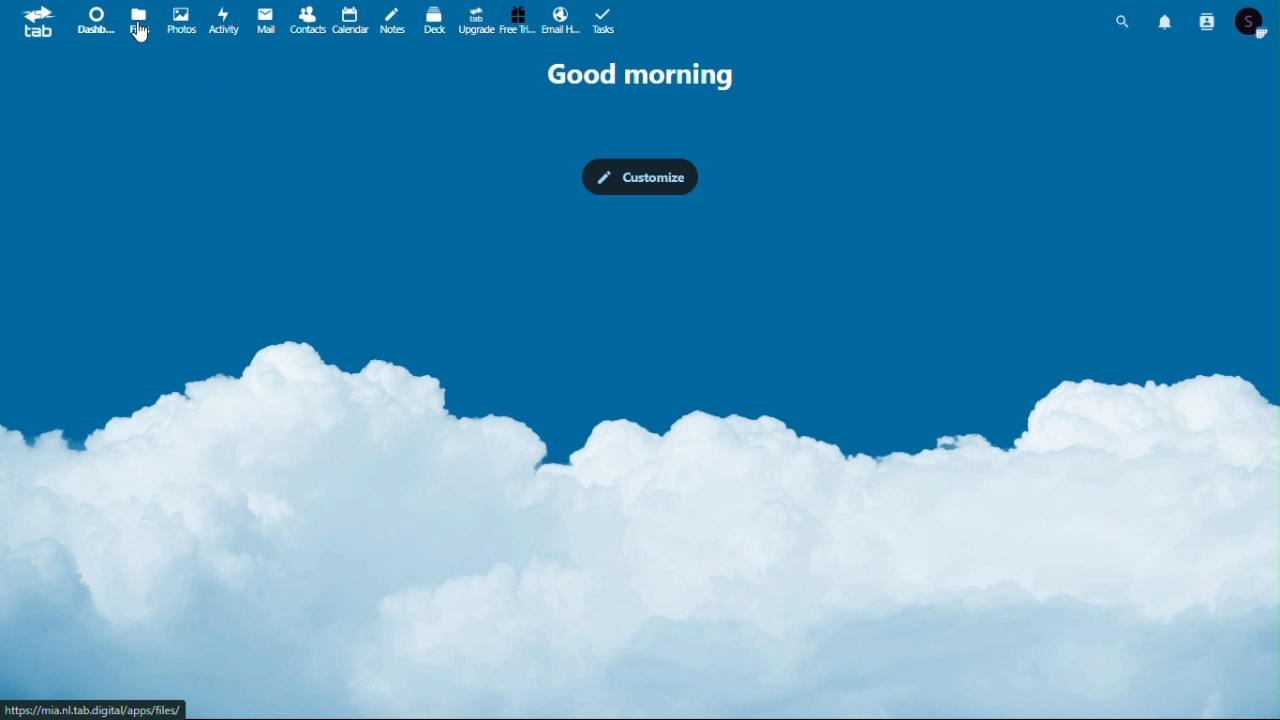  What do you see at coordinates (95, 21) in the screenshot?
I see `dashboard` at bounding box center [95, 21].